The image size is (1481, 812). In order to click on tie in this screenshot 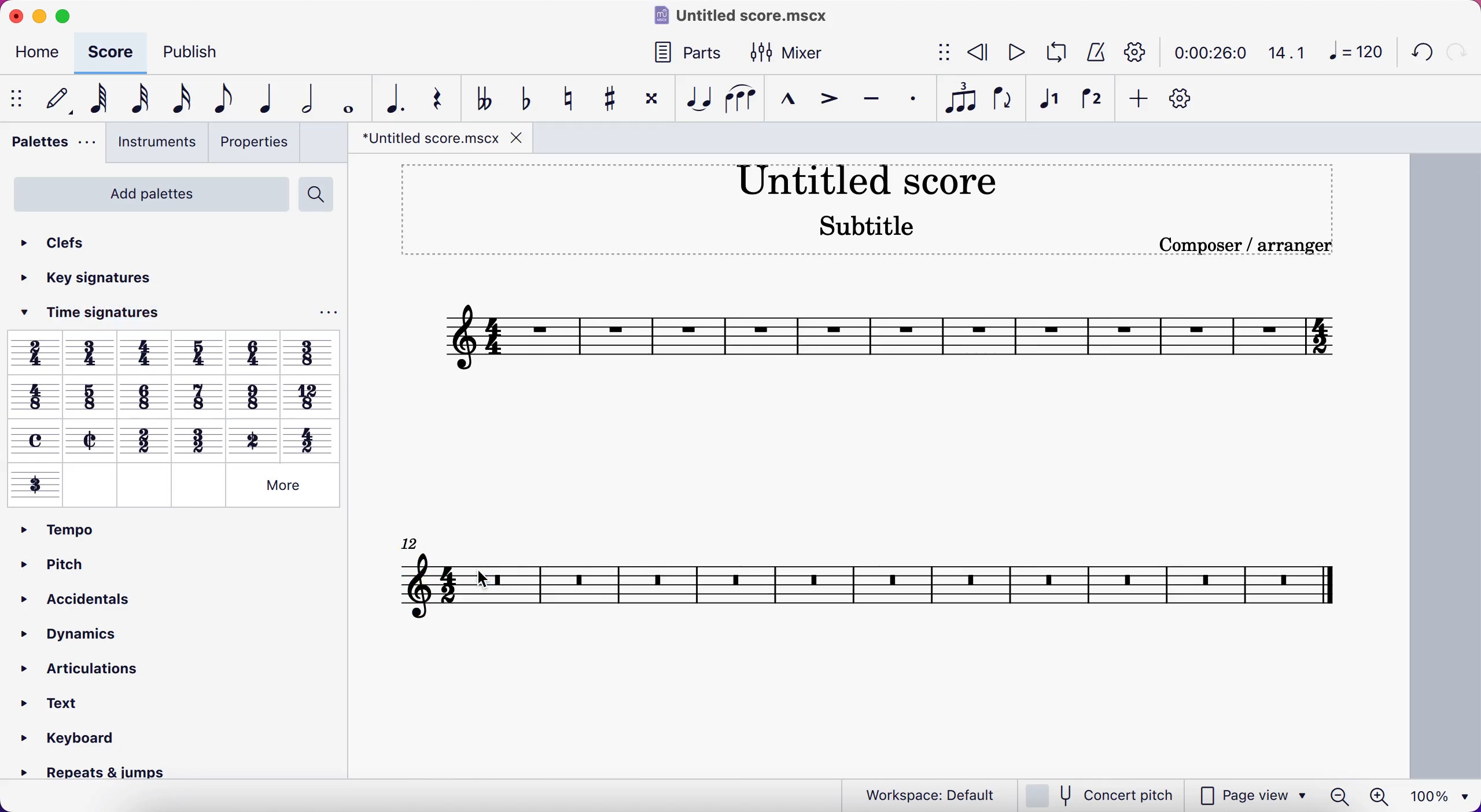, I will do `click(694, 97)`.